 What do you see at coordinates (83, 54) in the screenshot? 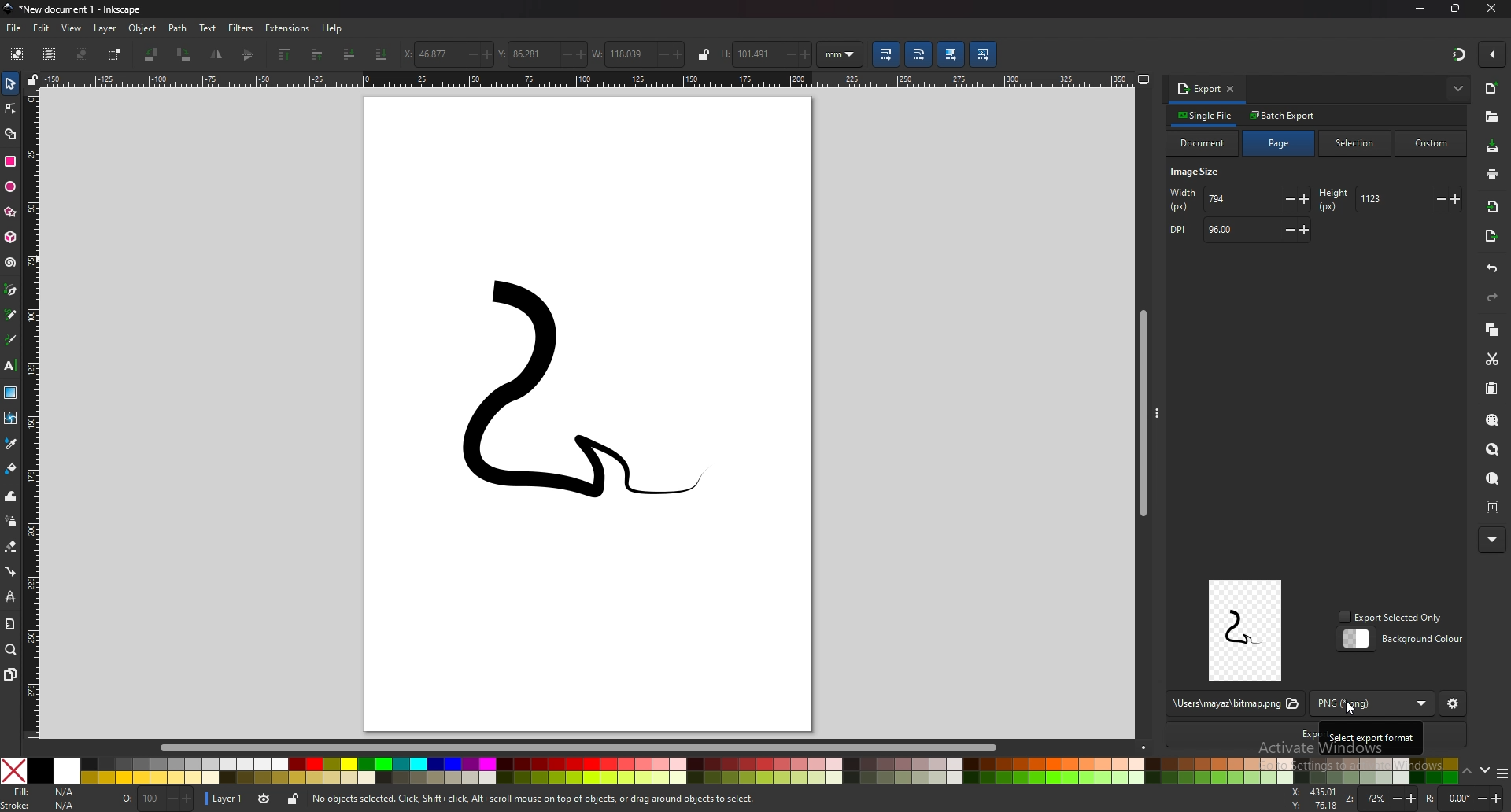
I see `deselect` at bounding box center [83, 54].